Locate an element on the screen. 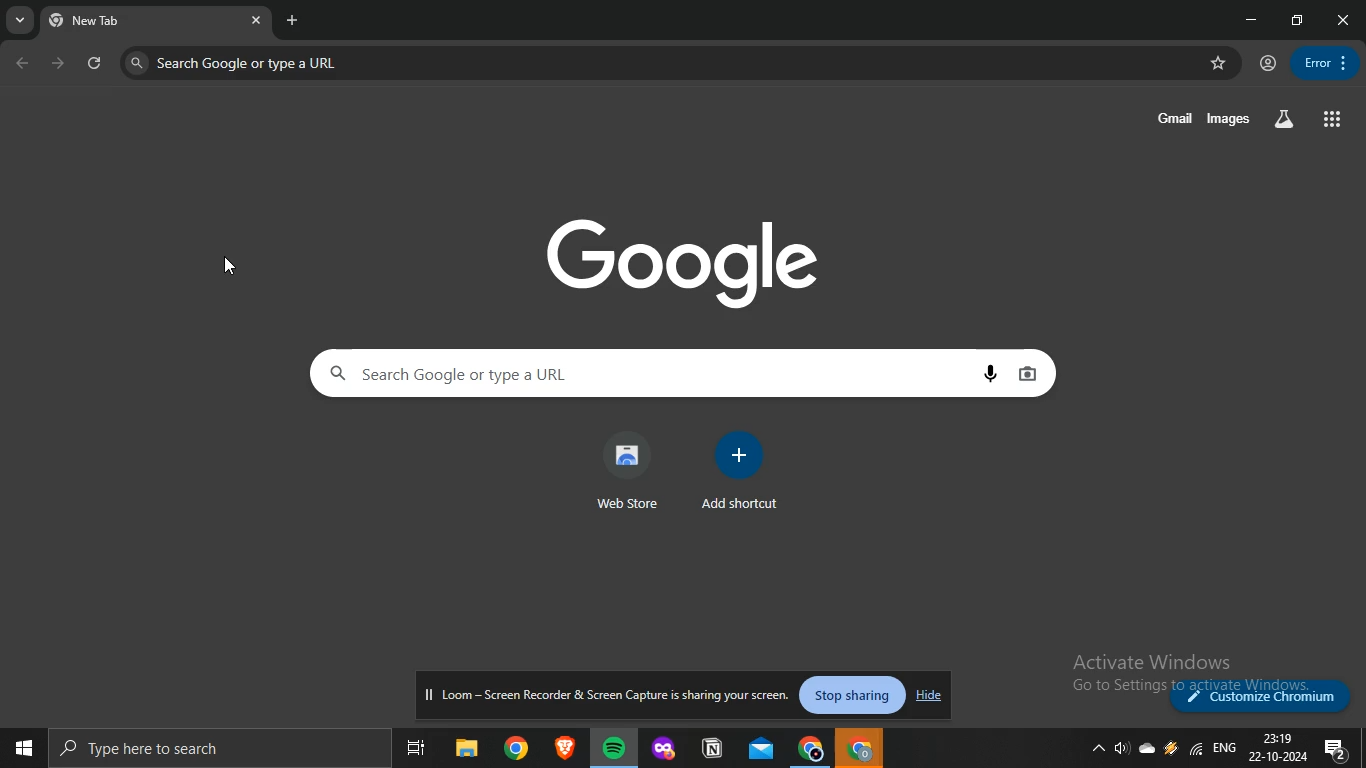 The height and width of the screenshot is (768, 1366). gmail is located at coordinates (1175, 116).